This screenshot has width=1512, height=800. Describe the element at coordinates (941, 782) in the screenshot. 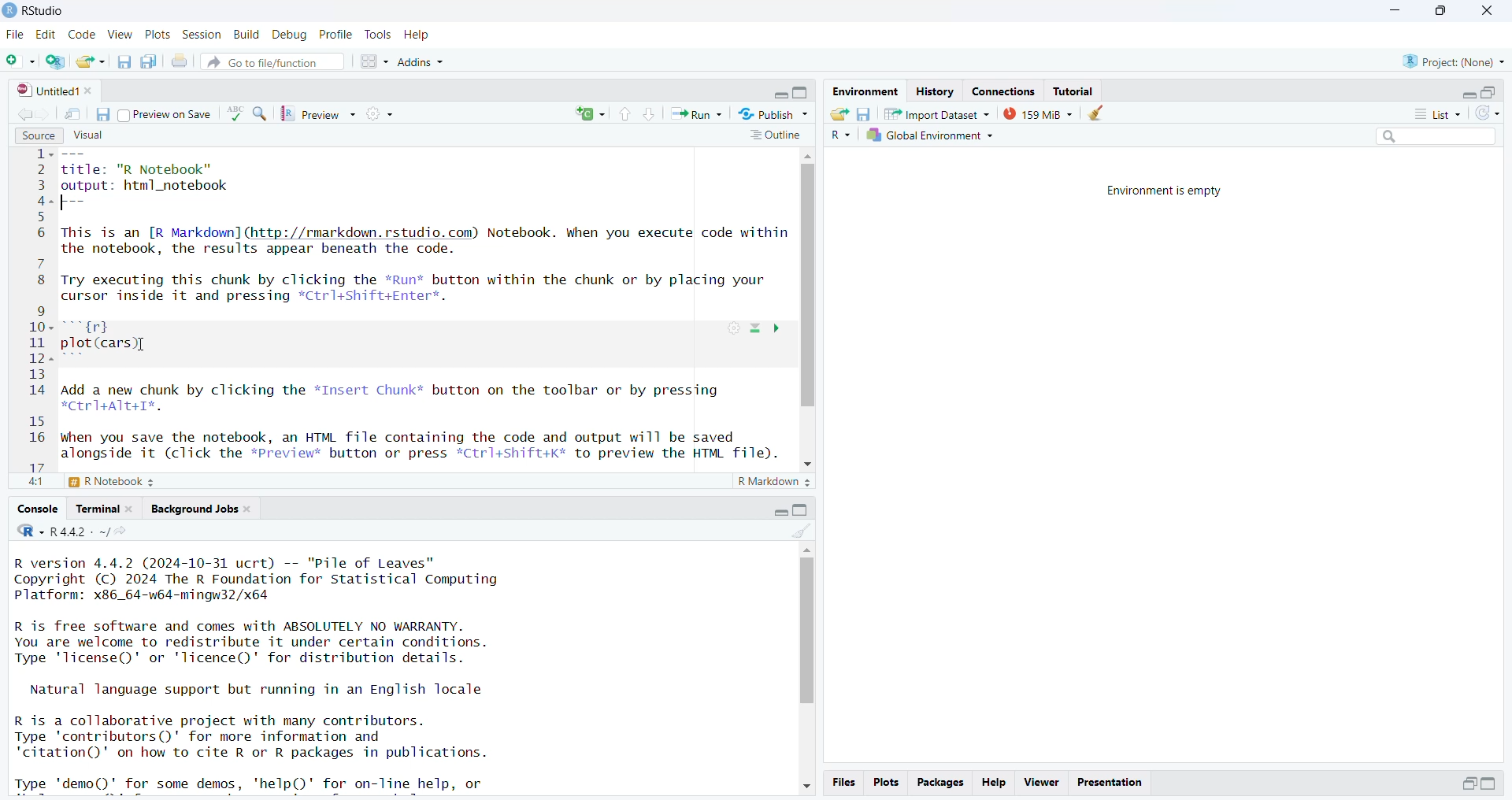

I see `packages` at that location.